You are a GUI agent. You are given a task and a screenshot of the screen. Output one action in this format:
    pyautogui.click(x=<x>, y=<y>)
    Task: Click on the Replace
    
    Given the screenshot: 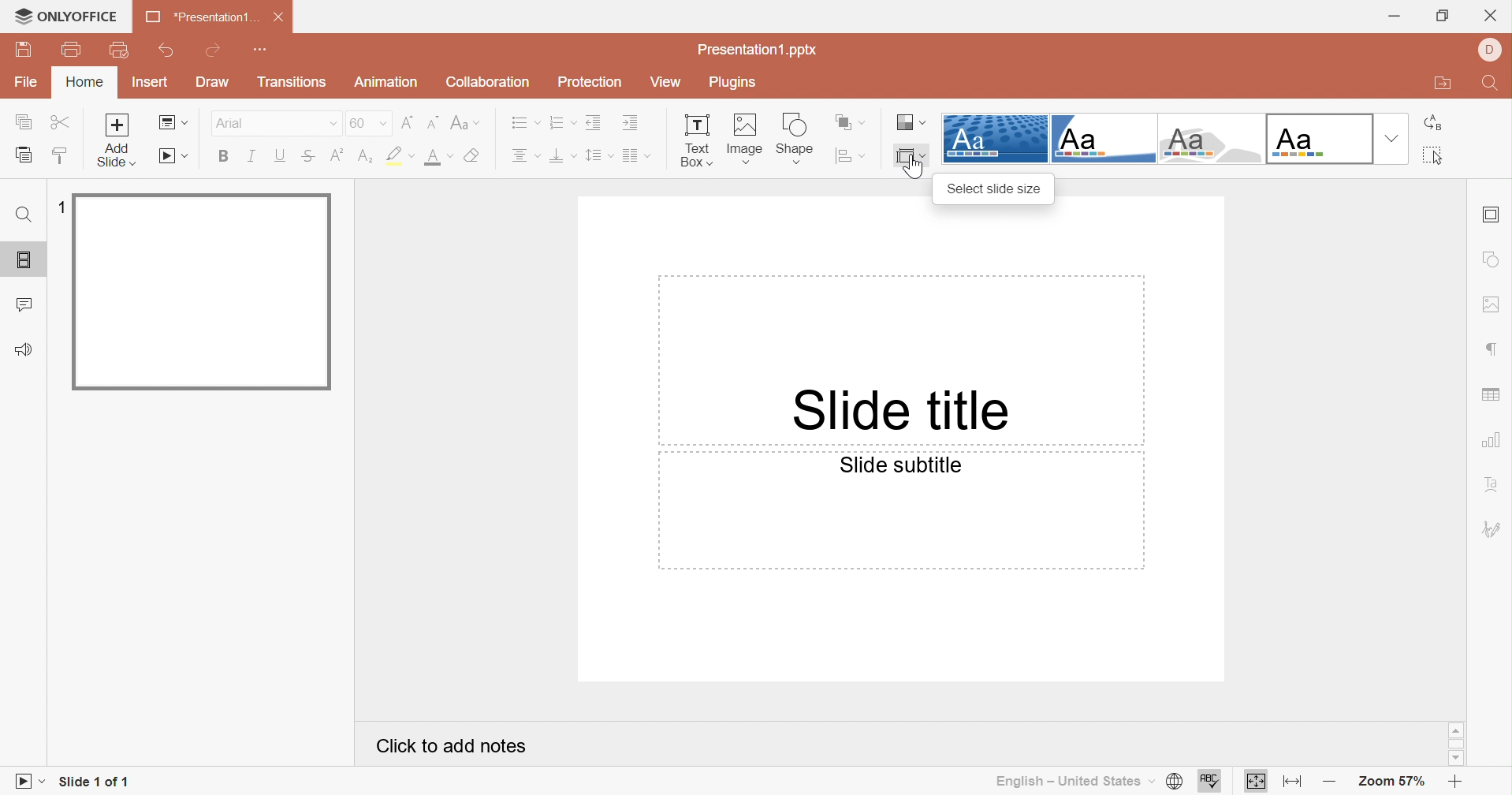 What is the action you would take?
    pyautogui.click(x=1436, y=125)
    